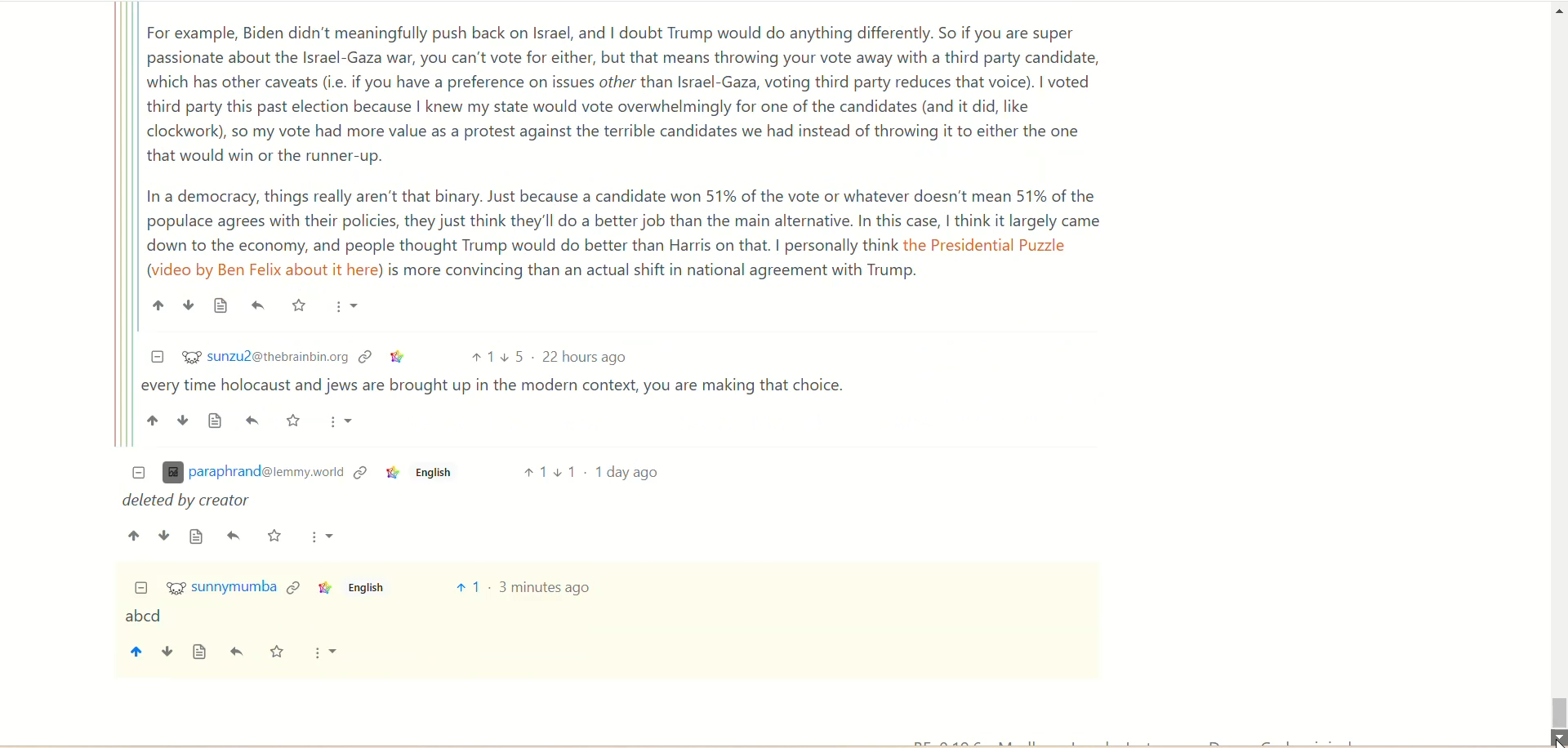 This screenshot has height=748, width=1568. What do you see at coordinates (137, 587) in the screenshot?
I see `Collapse` at bounding box center [137, 587].